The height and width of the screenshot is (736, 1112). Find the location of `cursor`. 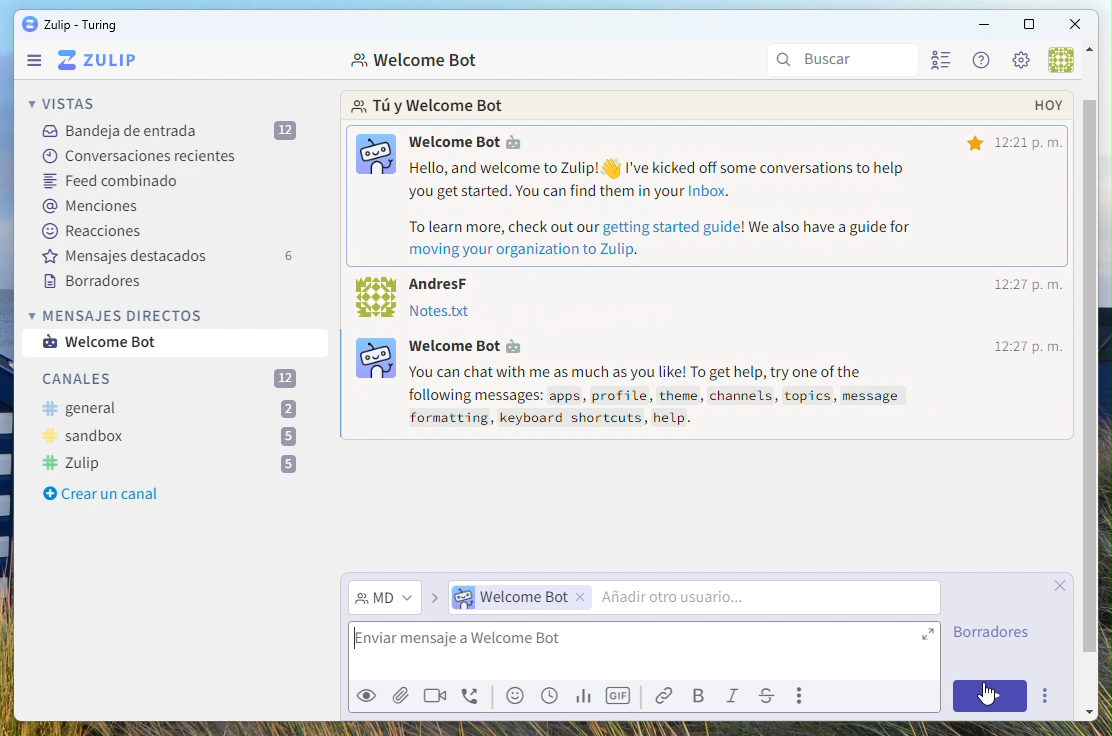

cursor is located at coordinates (991, 703).